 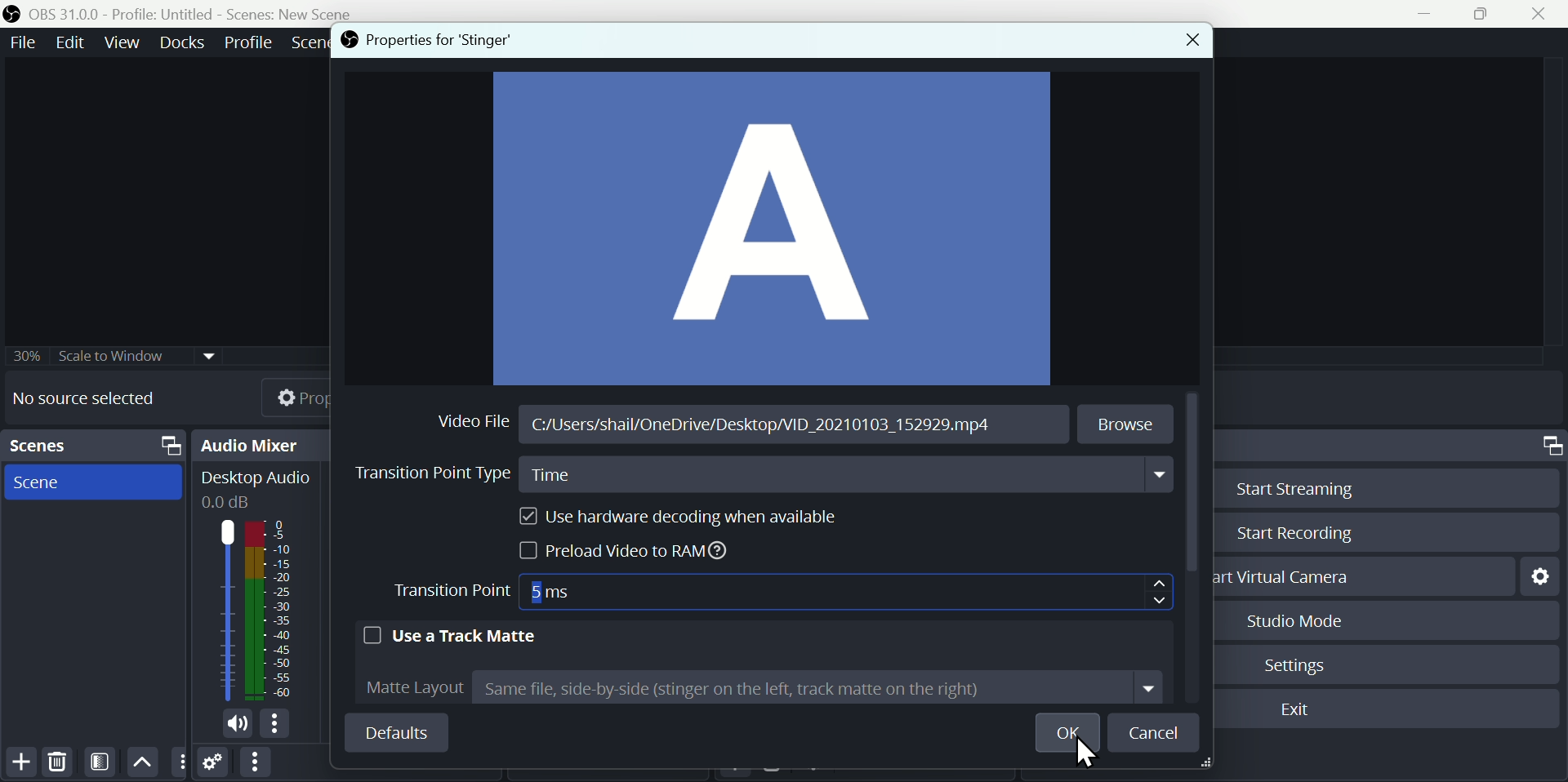 What do you see at coordinates (1539, 575) in the screenshot?
I see `Settings` at bounding box center [1539, 575].